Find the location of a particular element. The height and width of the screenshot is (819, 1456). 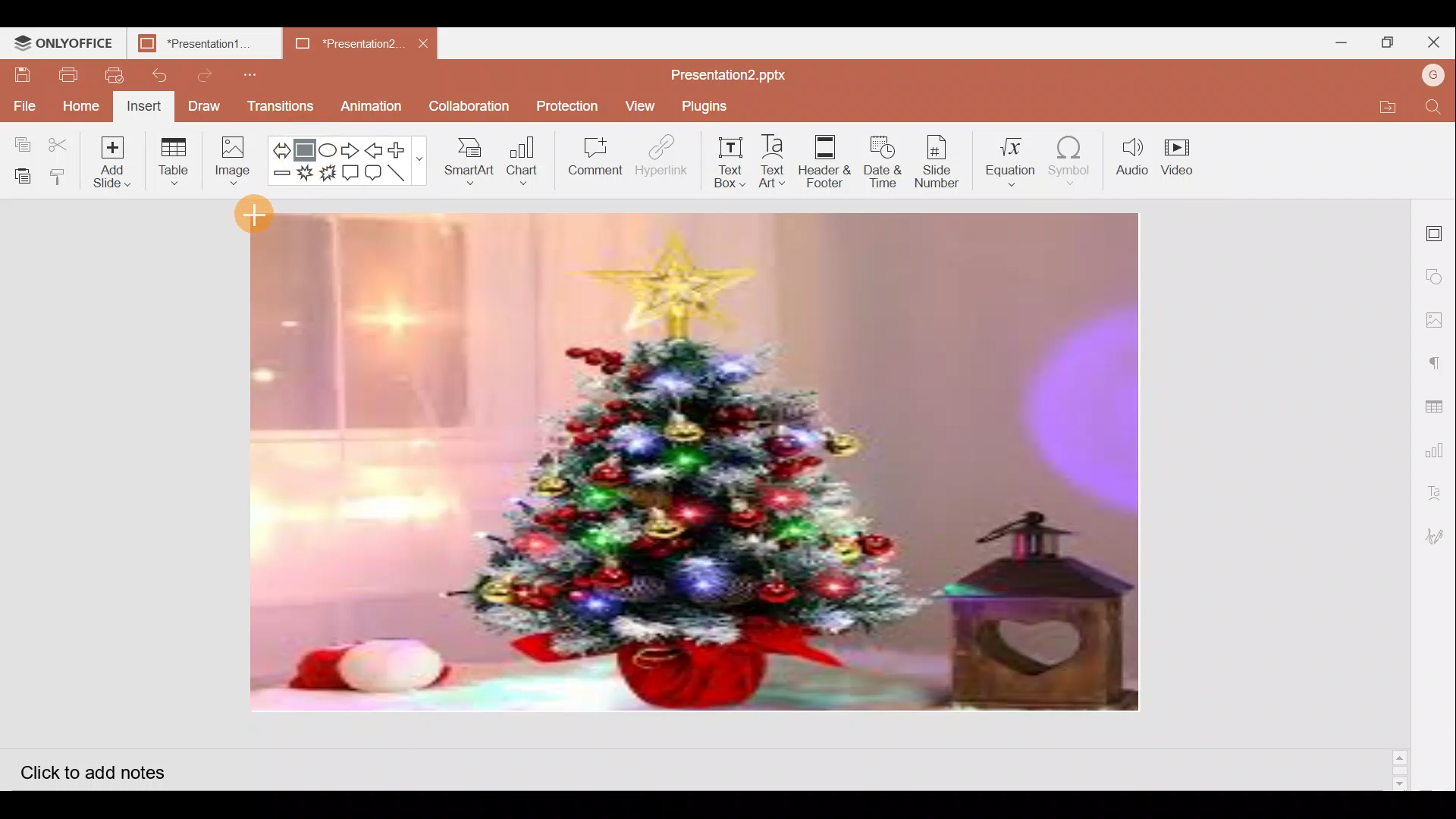

Minus is located at coordinates (281, 177).